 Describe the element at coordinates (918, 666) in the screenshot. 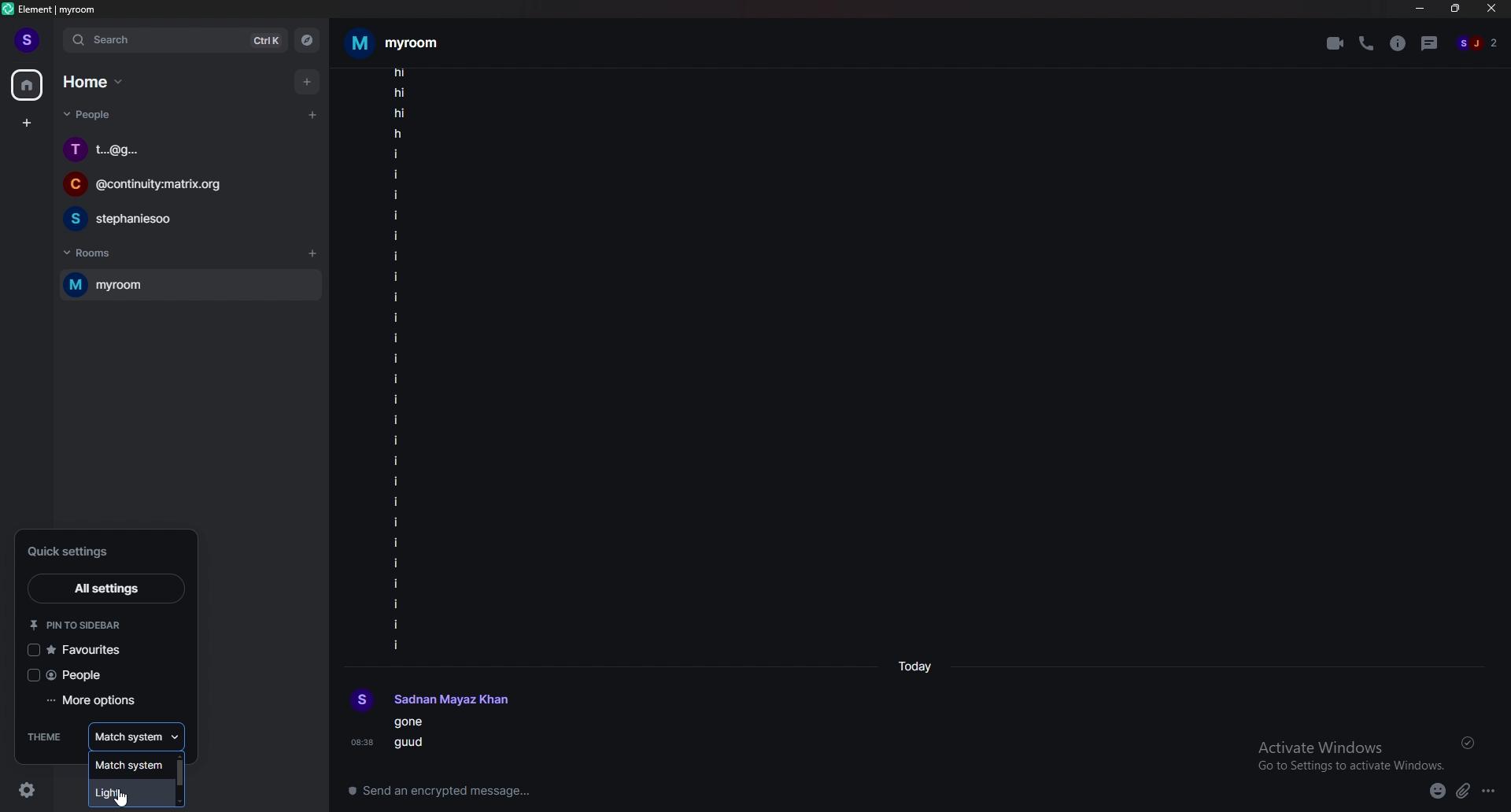

I see `time` at that location.